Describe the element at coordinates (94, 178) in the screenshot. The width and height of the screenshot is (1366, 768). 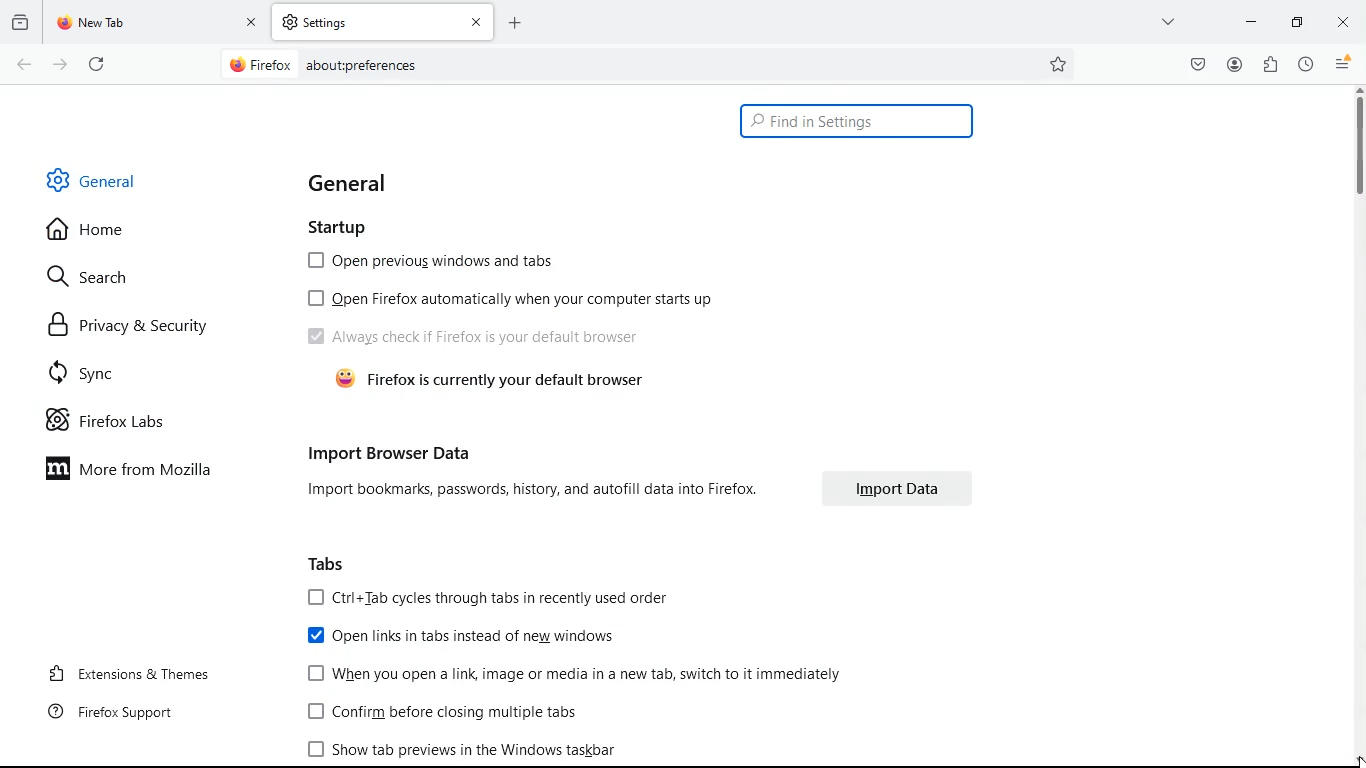
I see `general` at that location.